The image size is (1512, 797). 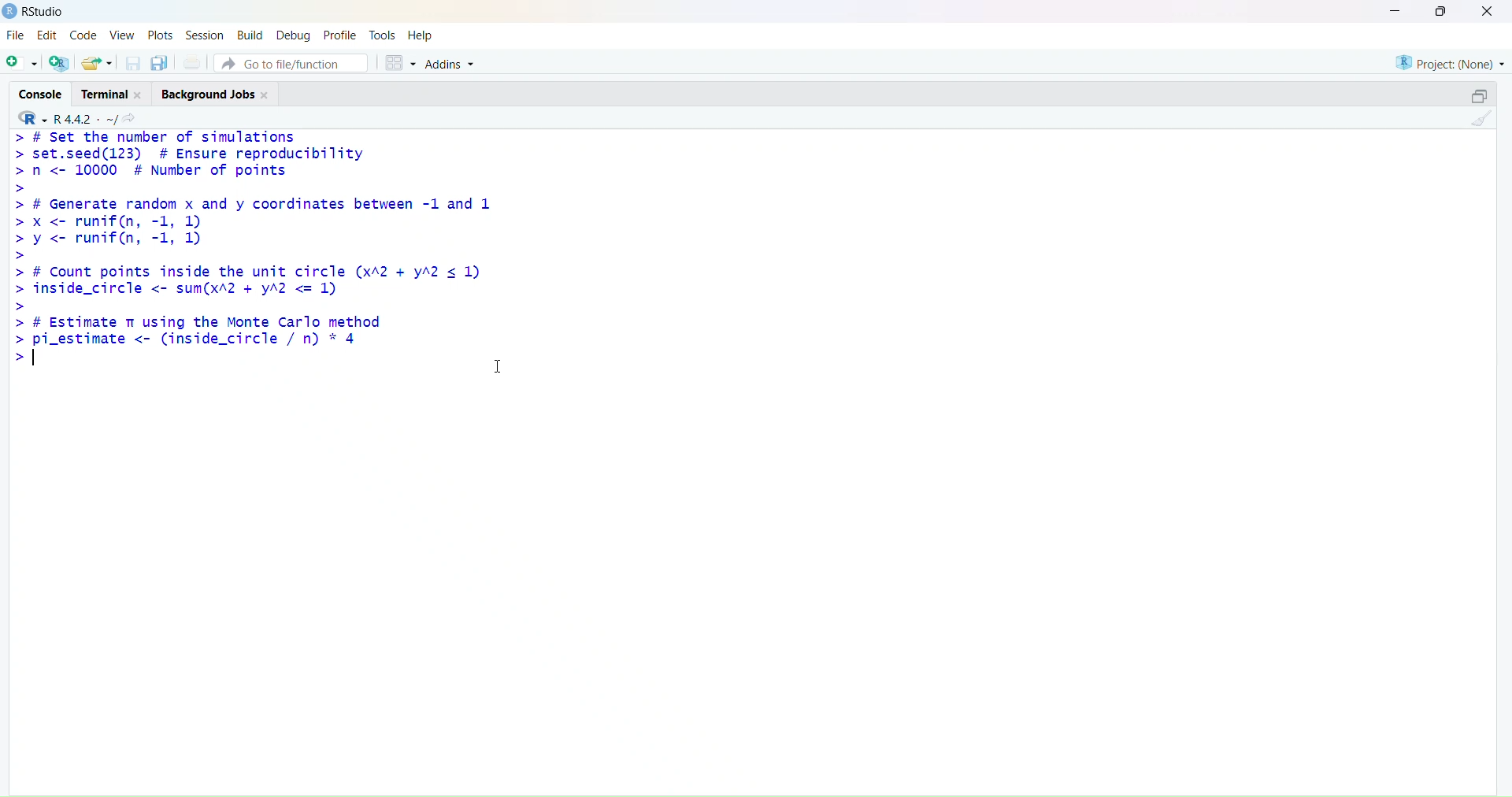 I want to click on View the current working directory, so click(x=135, y=117).